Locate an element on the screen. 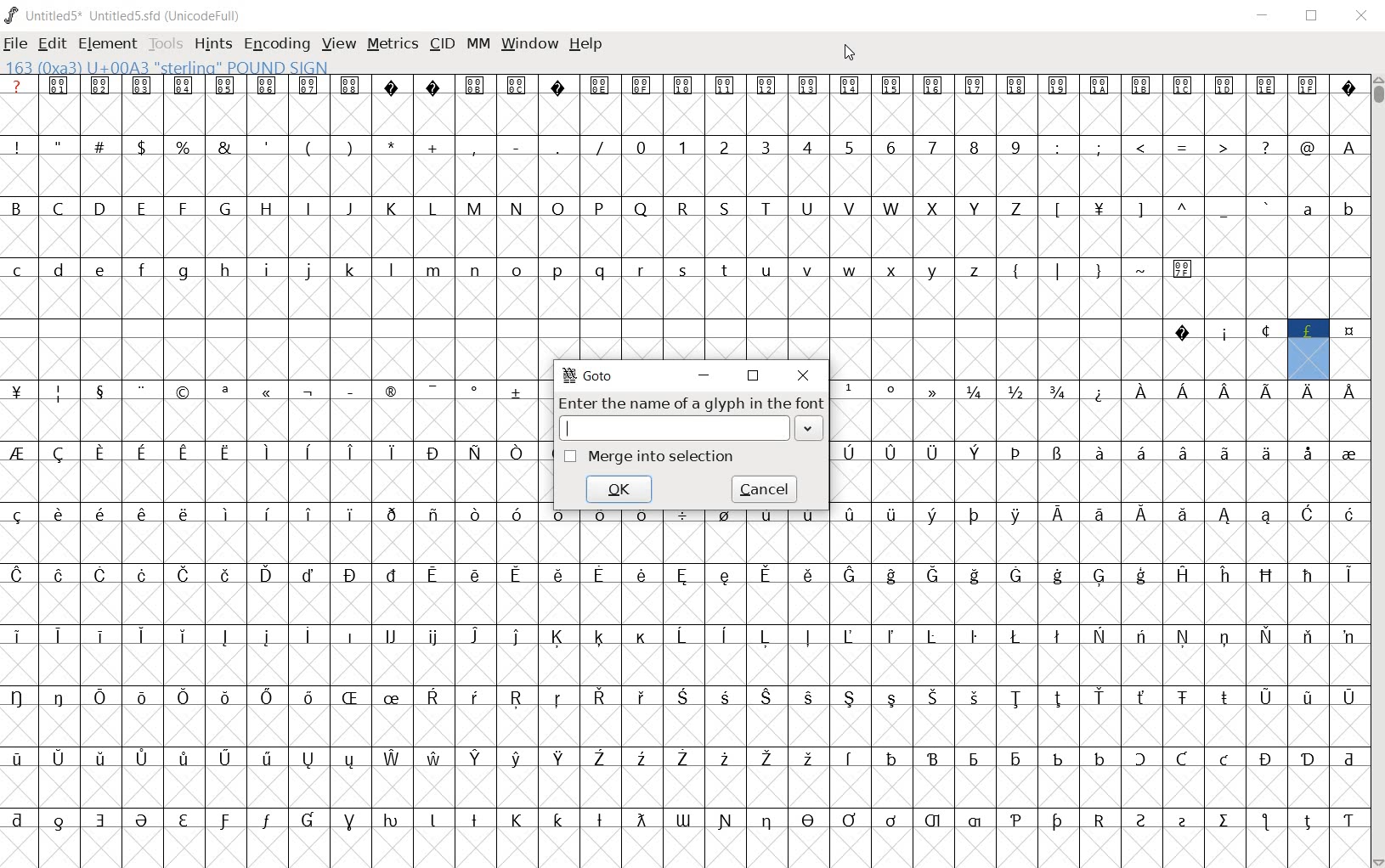  Untitled5* Untitled5.sfd (UnicodeFull) is located at coordinates (126, 15).